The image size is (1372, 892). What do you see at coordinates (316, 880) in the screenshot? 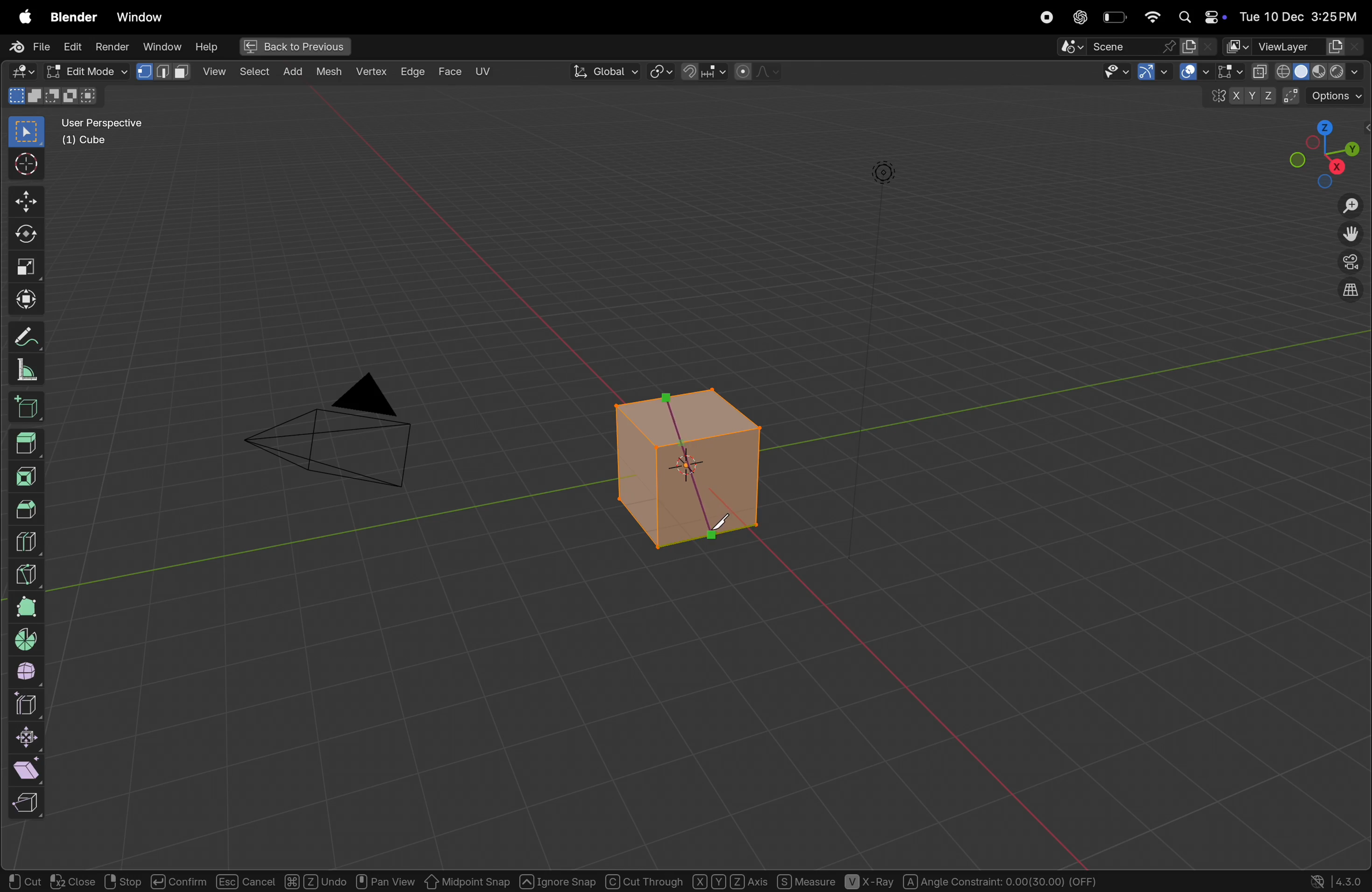
I see `Undo` at bounding box center [316, 880].